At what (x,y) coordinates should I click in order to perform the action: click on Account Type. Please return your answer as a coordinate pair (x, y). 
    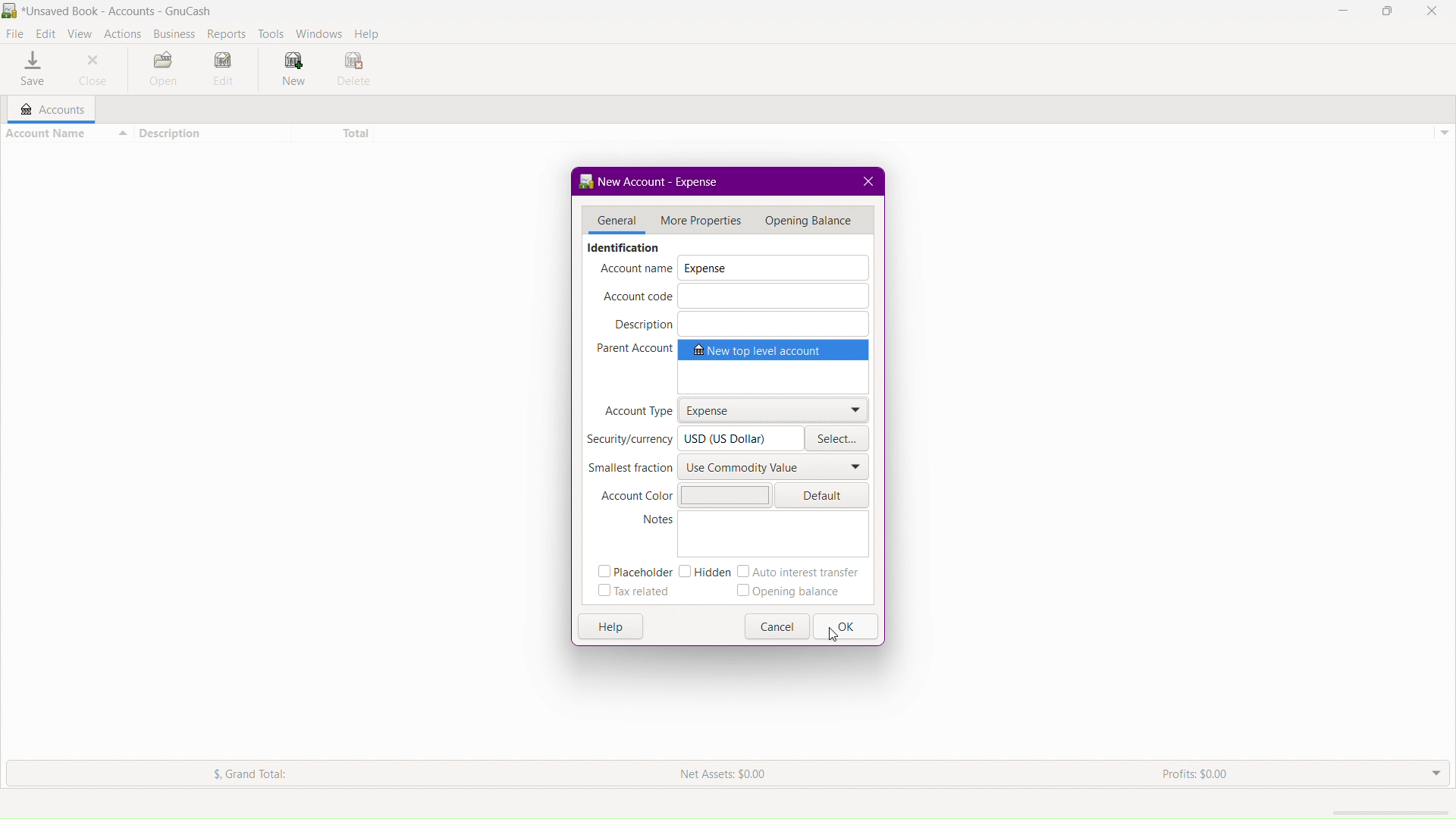
    Looking at the image, I should click on (635, 409).